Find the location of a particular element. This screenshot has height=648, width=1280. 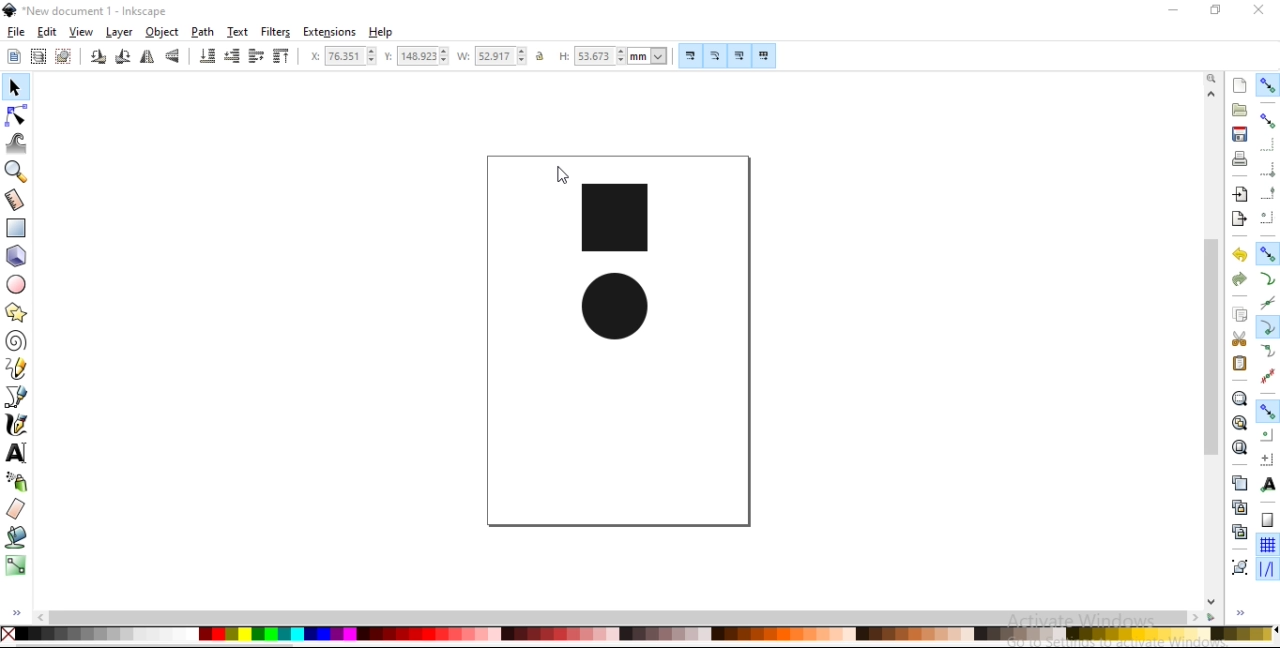

snap to path intersections is located at coordinates (1266, 301).